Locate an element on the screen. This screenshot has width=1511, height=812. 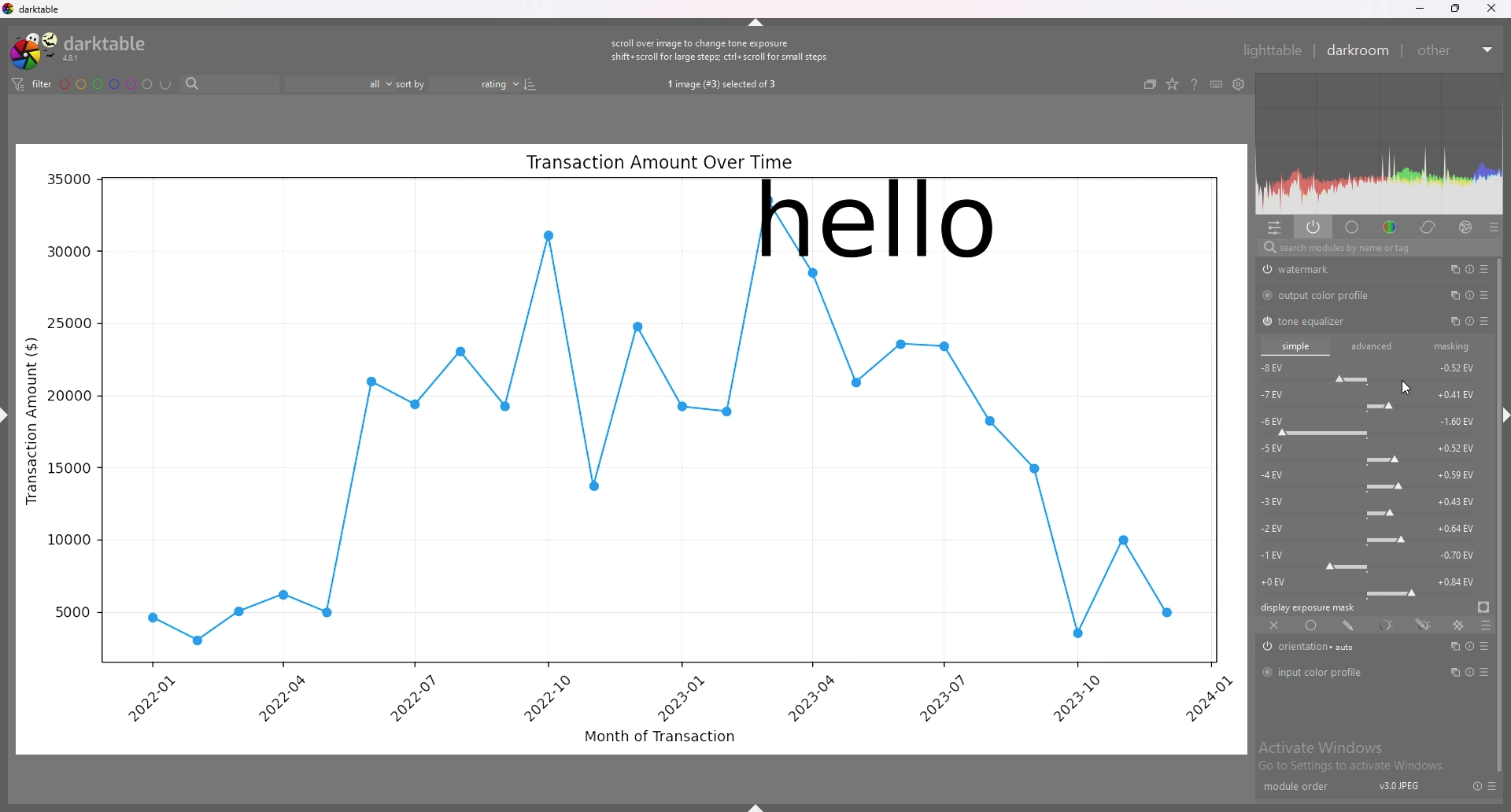
heat map is located at coordinates (1380, 143).